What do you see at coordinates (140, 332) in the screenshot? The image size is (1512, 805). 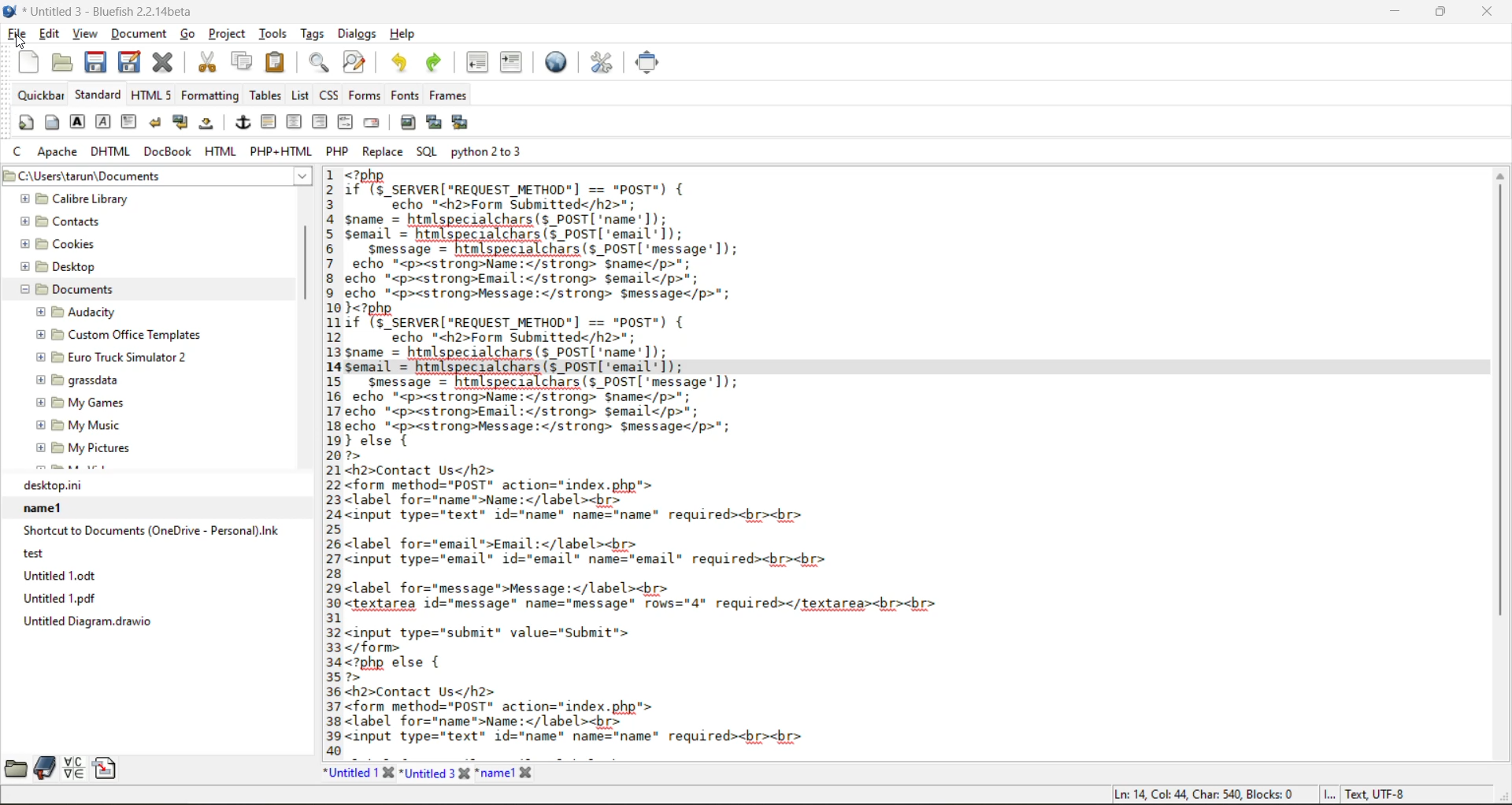 I see `folder explorer` at bounding box center [140, 332].